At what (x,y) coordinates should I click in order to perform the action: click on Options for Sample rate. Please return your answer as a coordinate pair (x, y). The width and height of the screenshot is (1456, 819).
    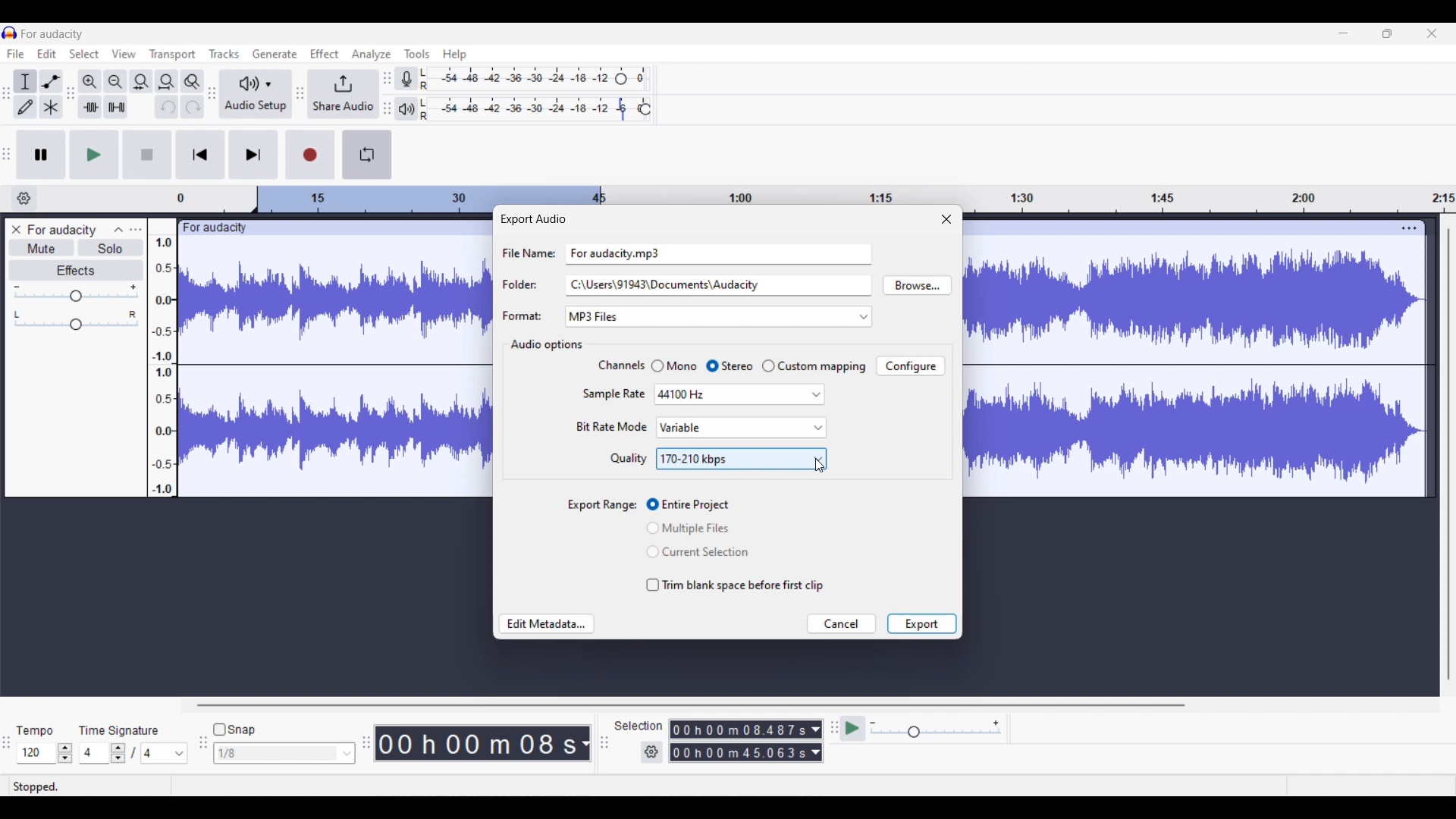
    Looking at the image, I should click on (739, 395).